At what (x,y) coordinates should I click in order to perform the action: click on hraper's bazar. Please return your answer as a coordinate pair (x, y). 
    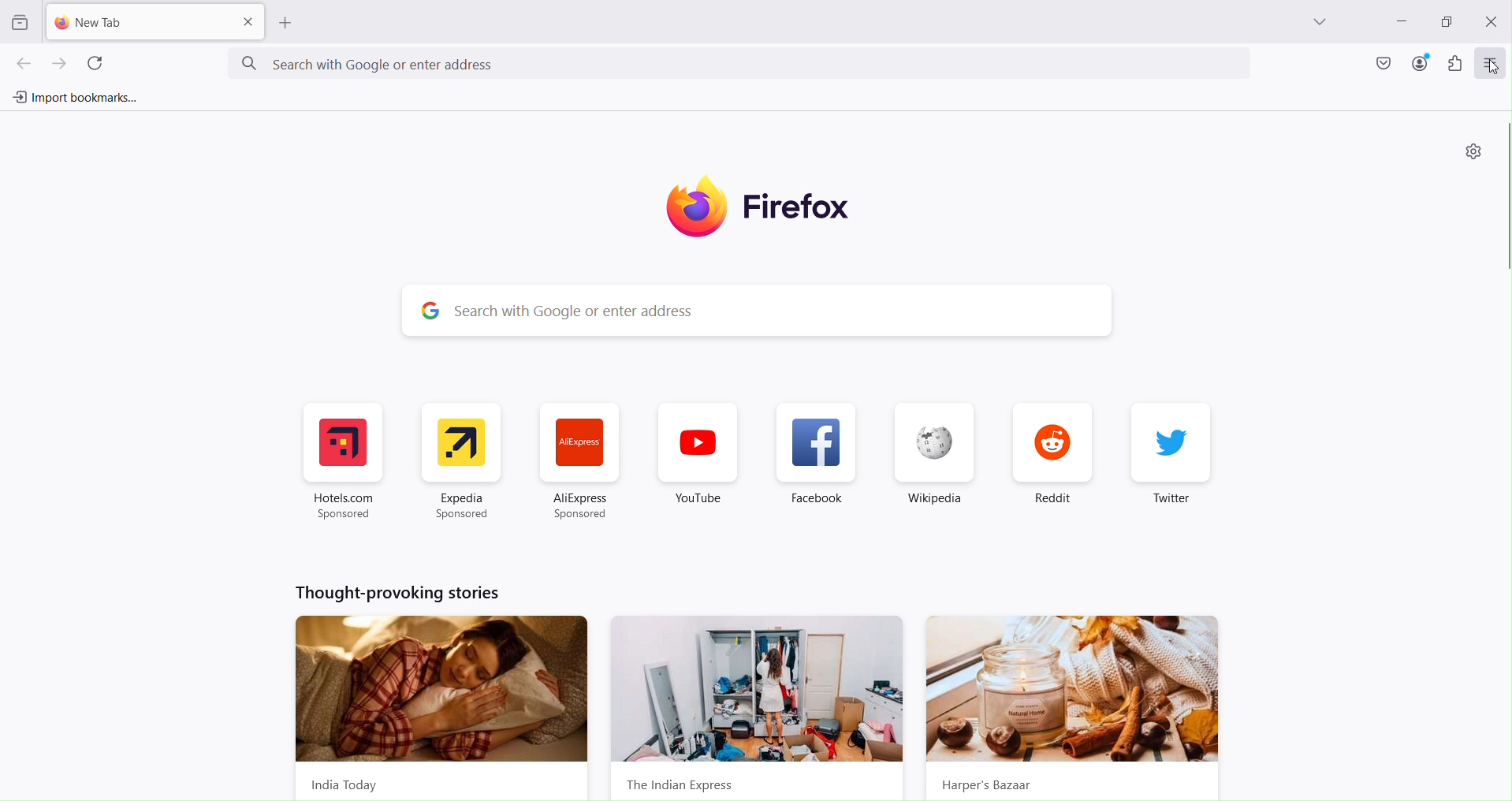
    Looking at the image, I should click on (1073, 708).